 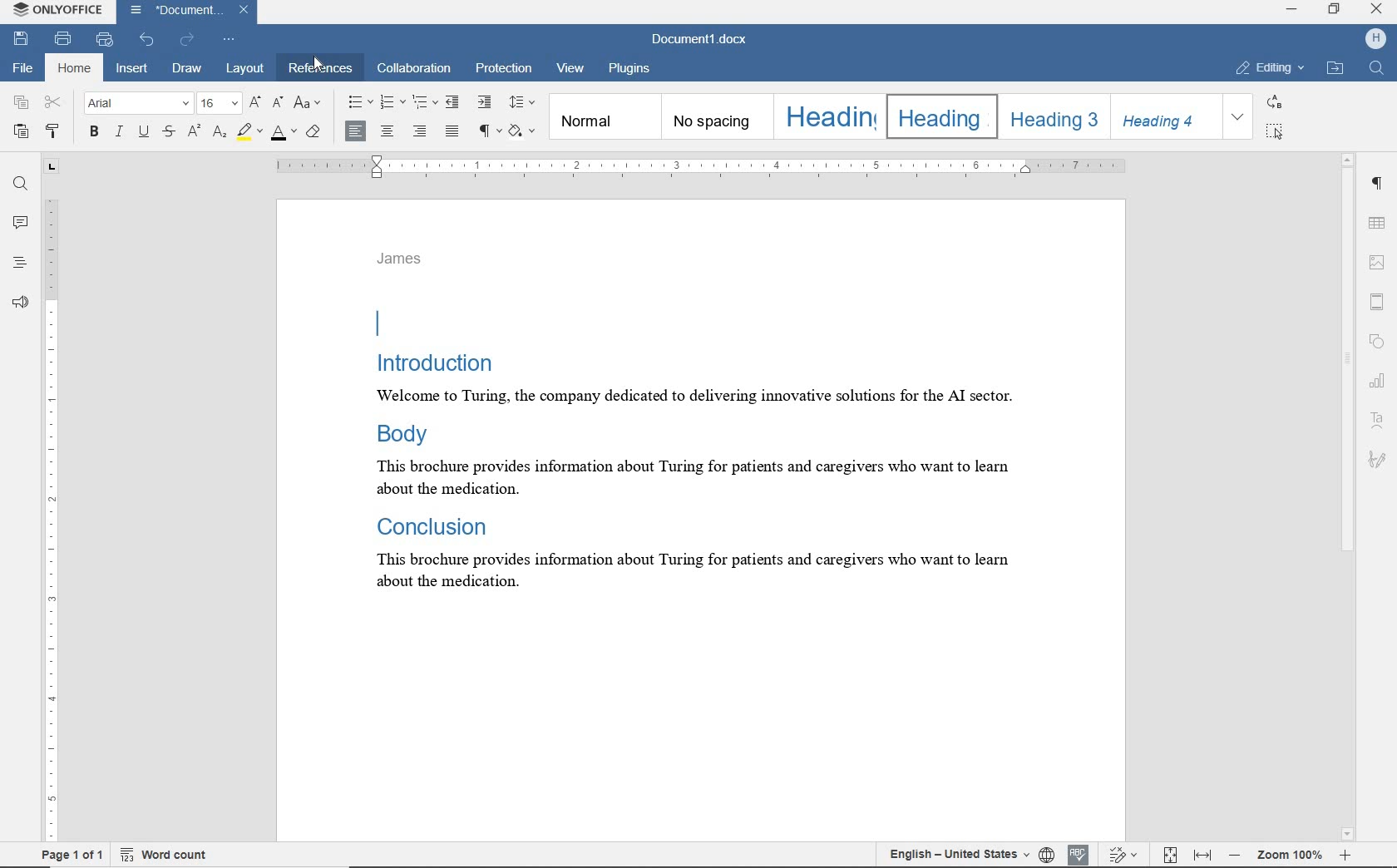 What do you see at coordinates (1046, 855) in the screenshot?
I see `set document language` at bounding box center [1046, 855].